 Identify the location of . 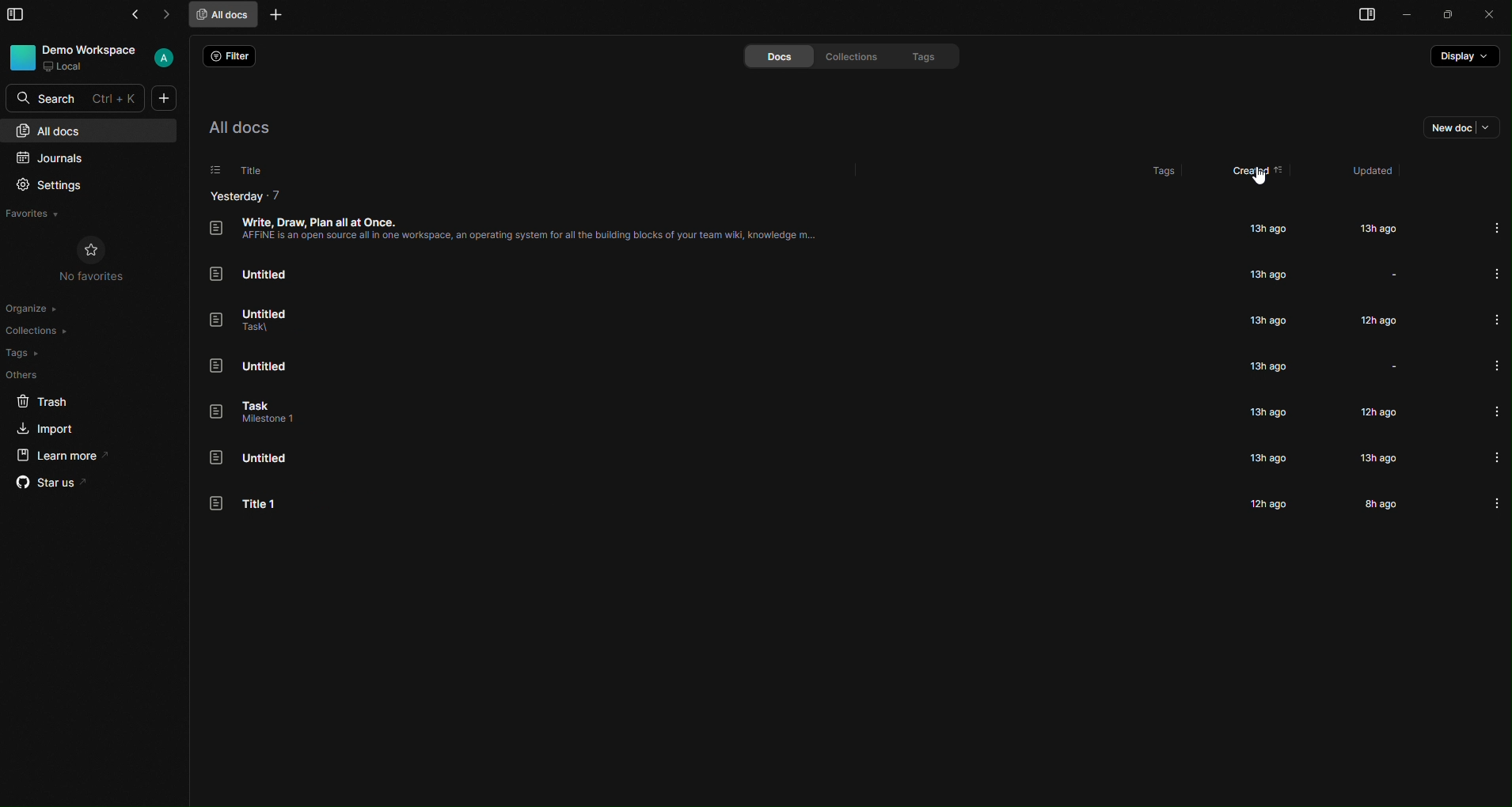
(248, 457).